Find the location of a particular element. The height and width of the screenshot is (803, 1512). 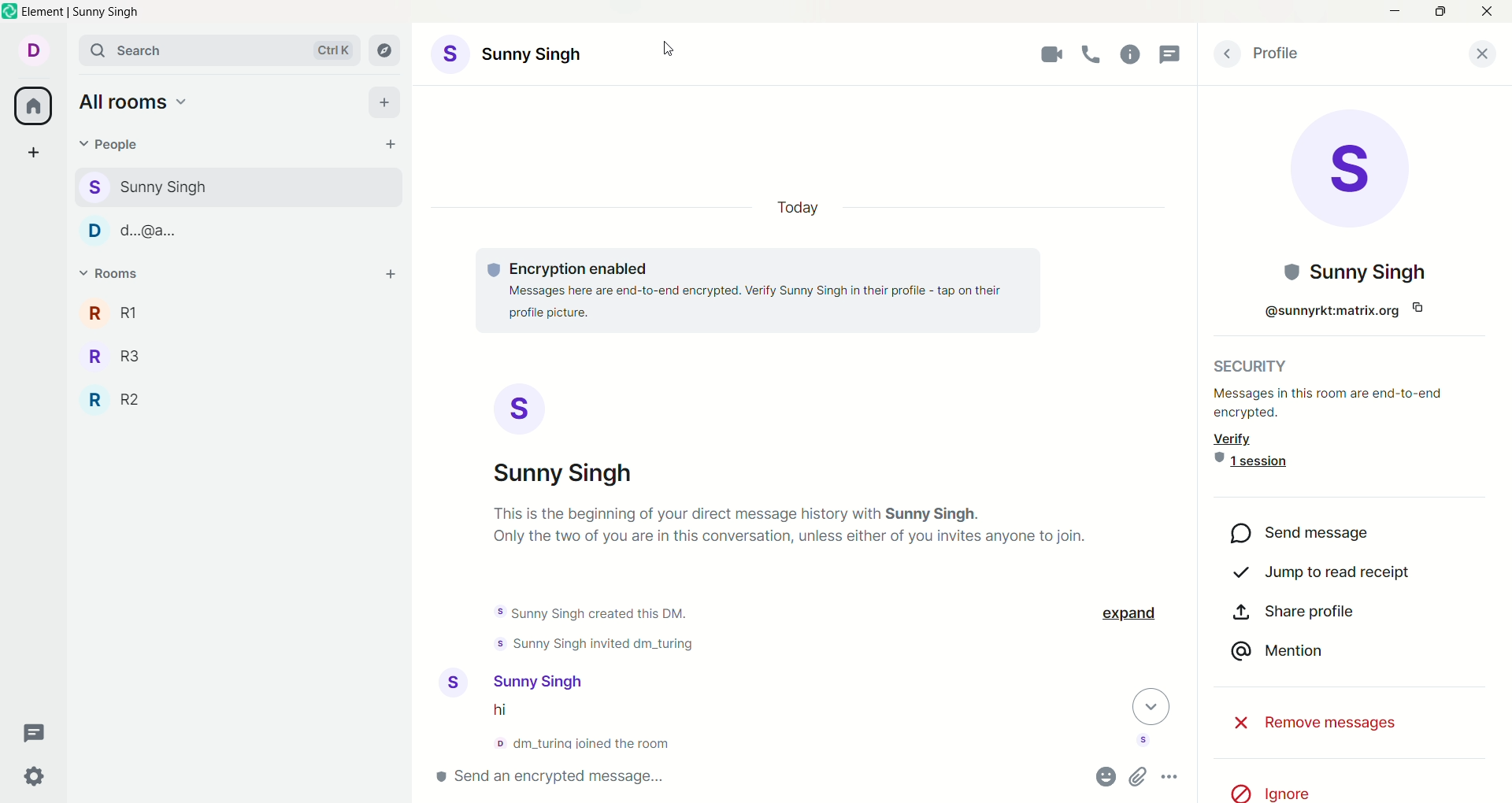

Other Options is located at coordinates (1172, 777).